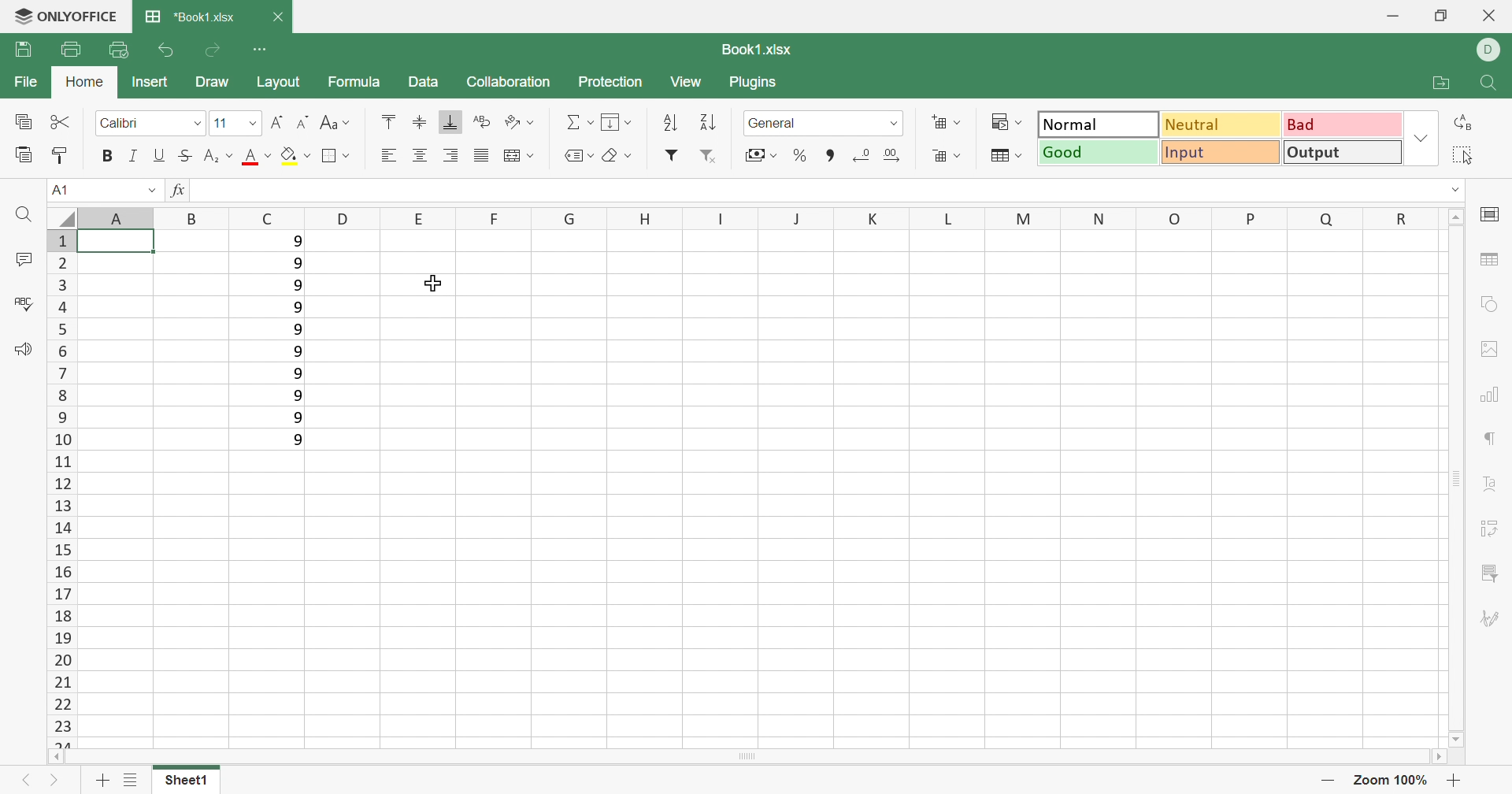  Describe the element at coordinates (277, 82) in the screenshot. I see `Layout` at that location.